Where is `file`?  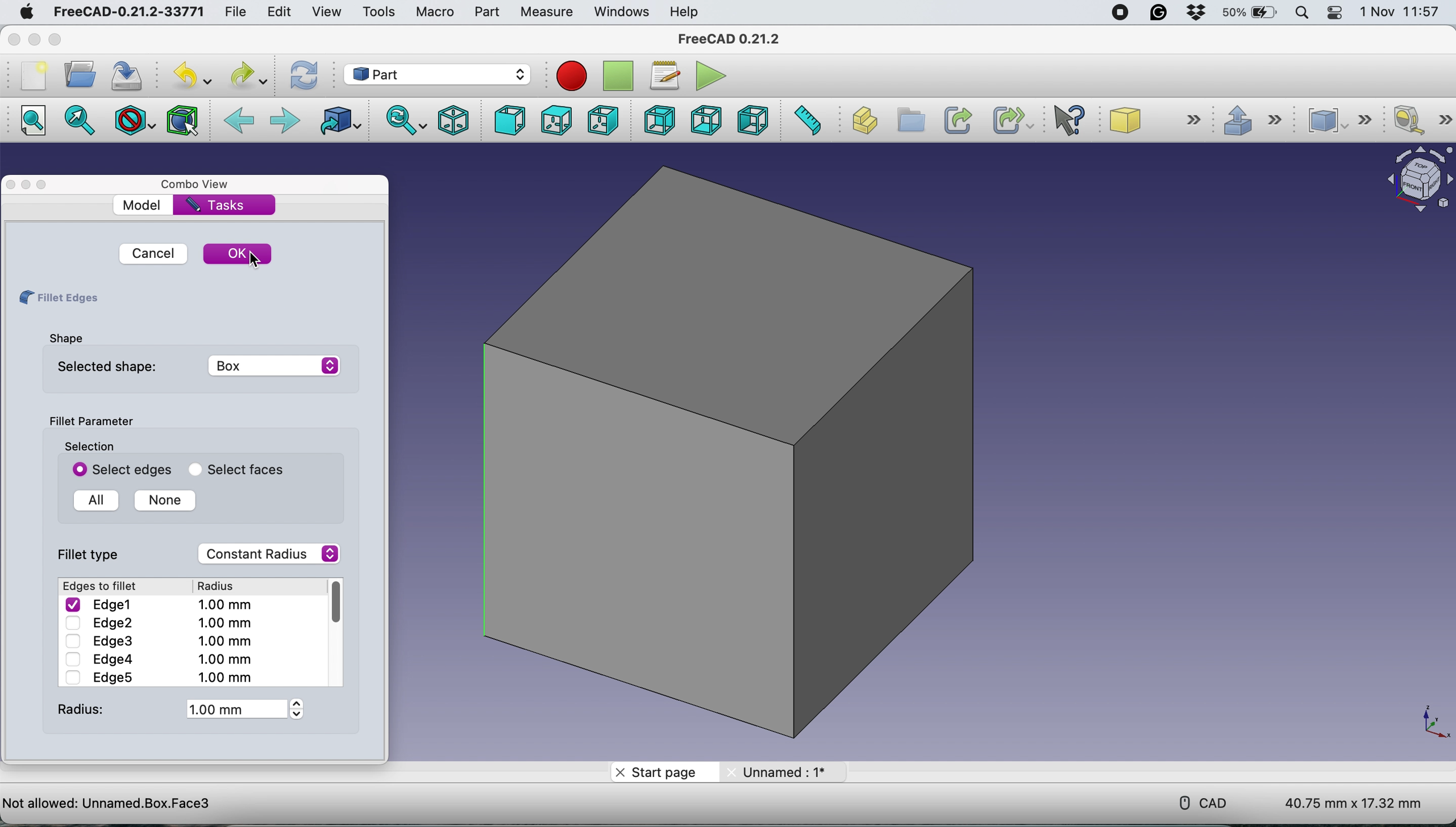
file is located at coordinates (236, 10).